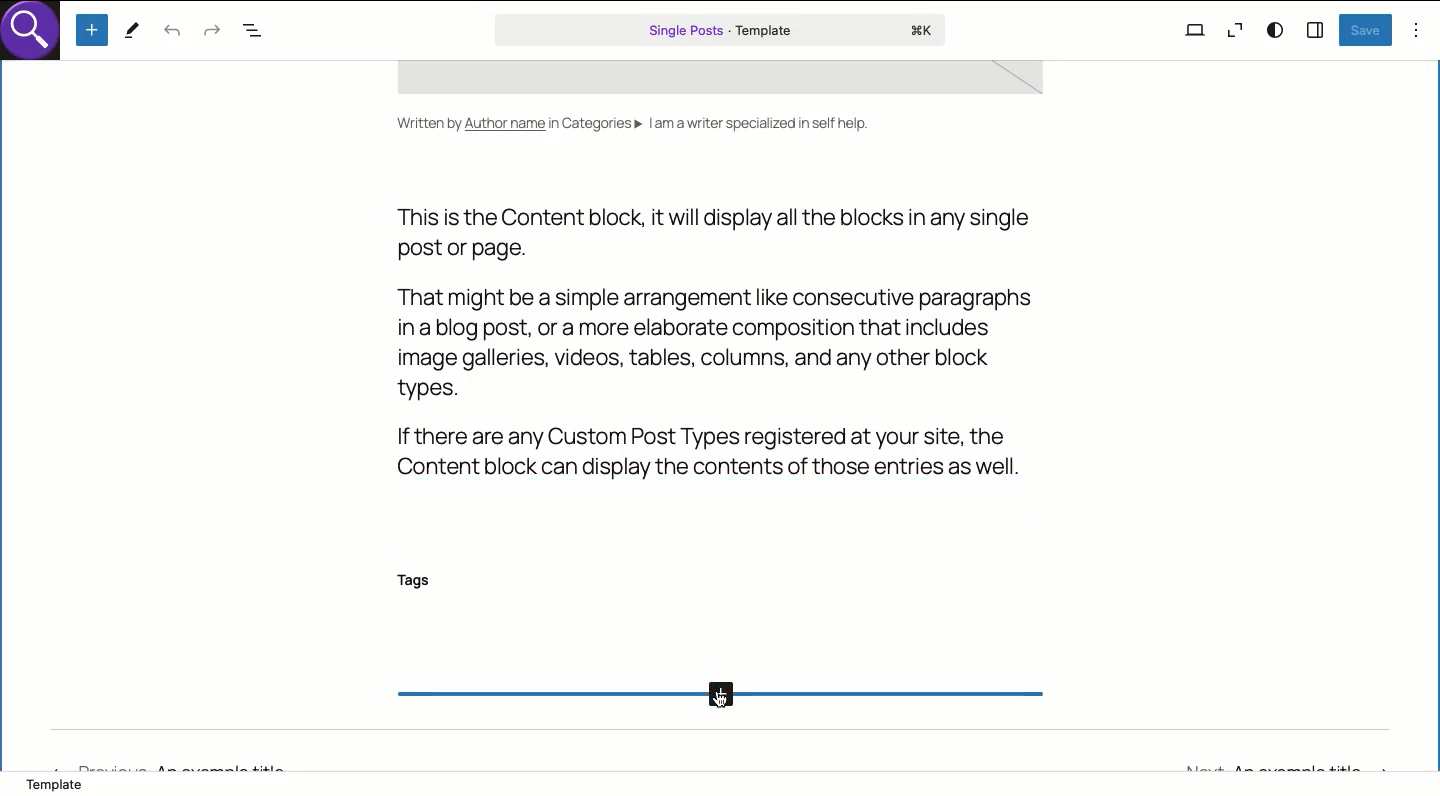  I want to click on Document overview, so click(256, 32).